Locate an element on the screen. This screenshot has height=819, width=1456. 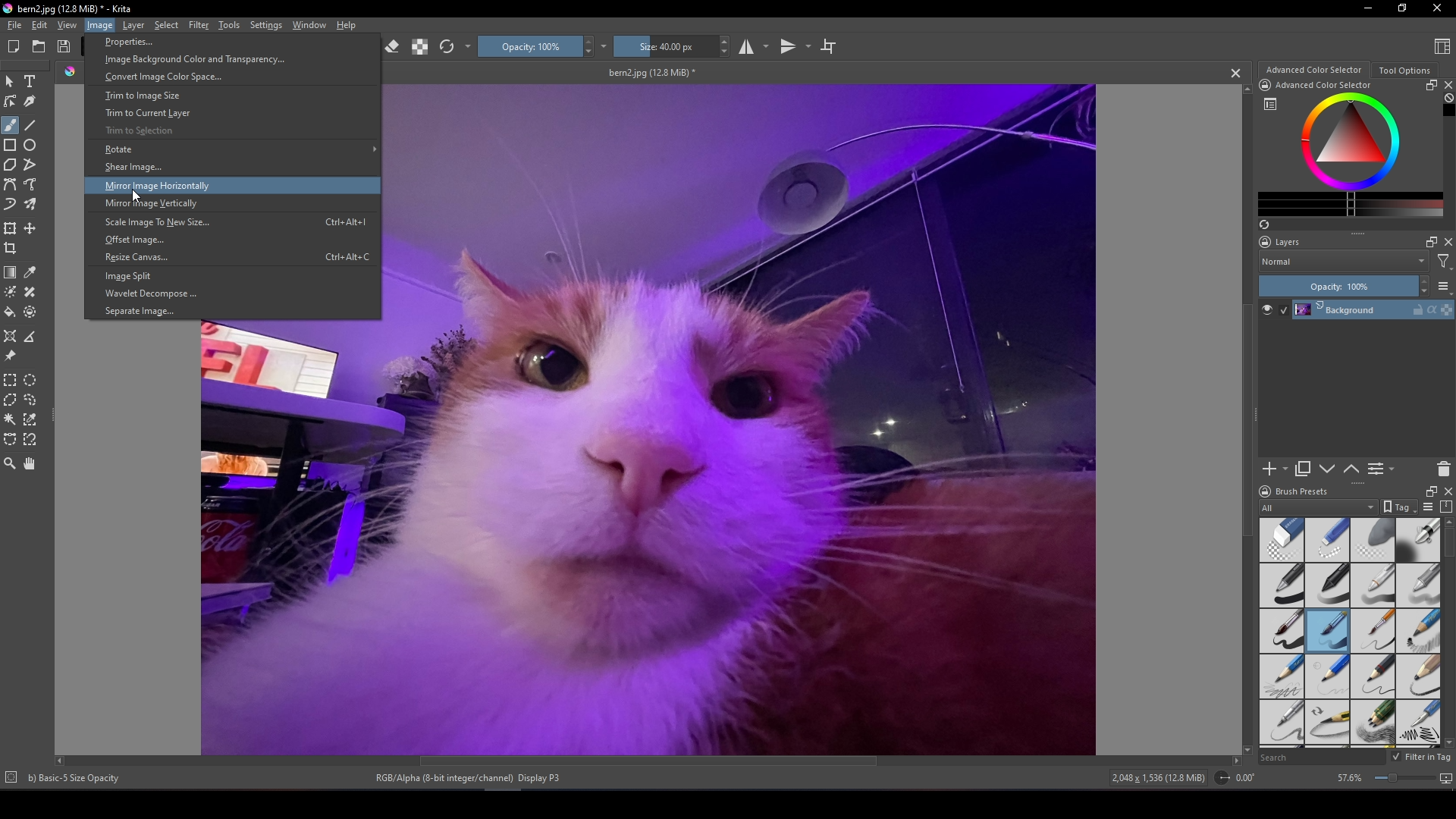
Mirror image vertically is located at coordinates (233, 203).